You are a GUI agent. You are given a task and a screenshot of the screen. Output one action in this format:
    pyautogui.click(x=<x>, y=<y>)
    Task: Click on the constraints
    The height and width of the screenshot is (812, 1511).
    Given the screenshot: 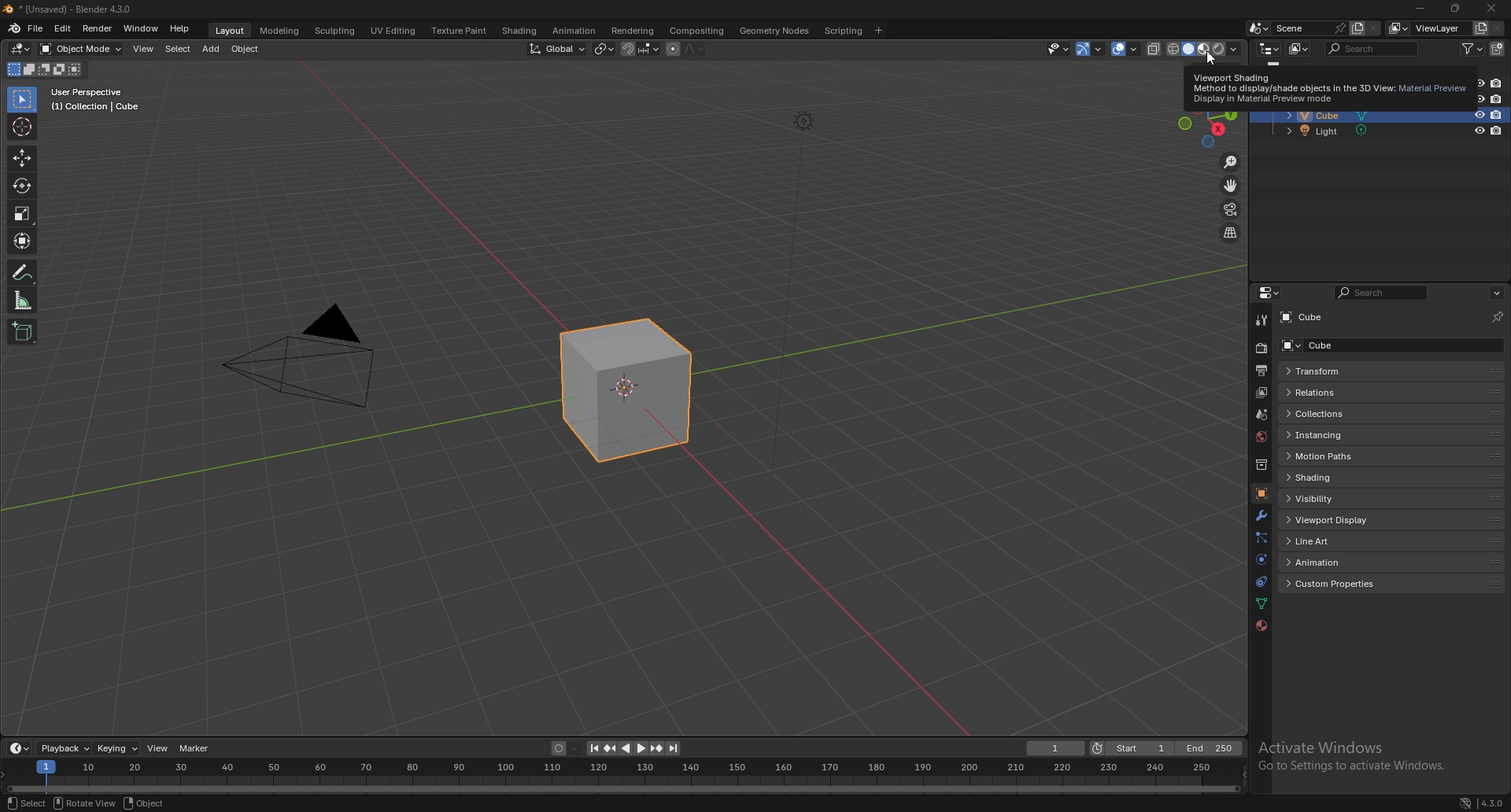 What is the action you would take?
    pyautogui.click(x=1261, y=582)
    